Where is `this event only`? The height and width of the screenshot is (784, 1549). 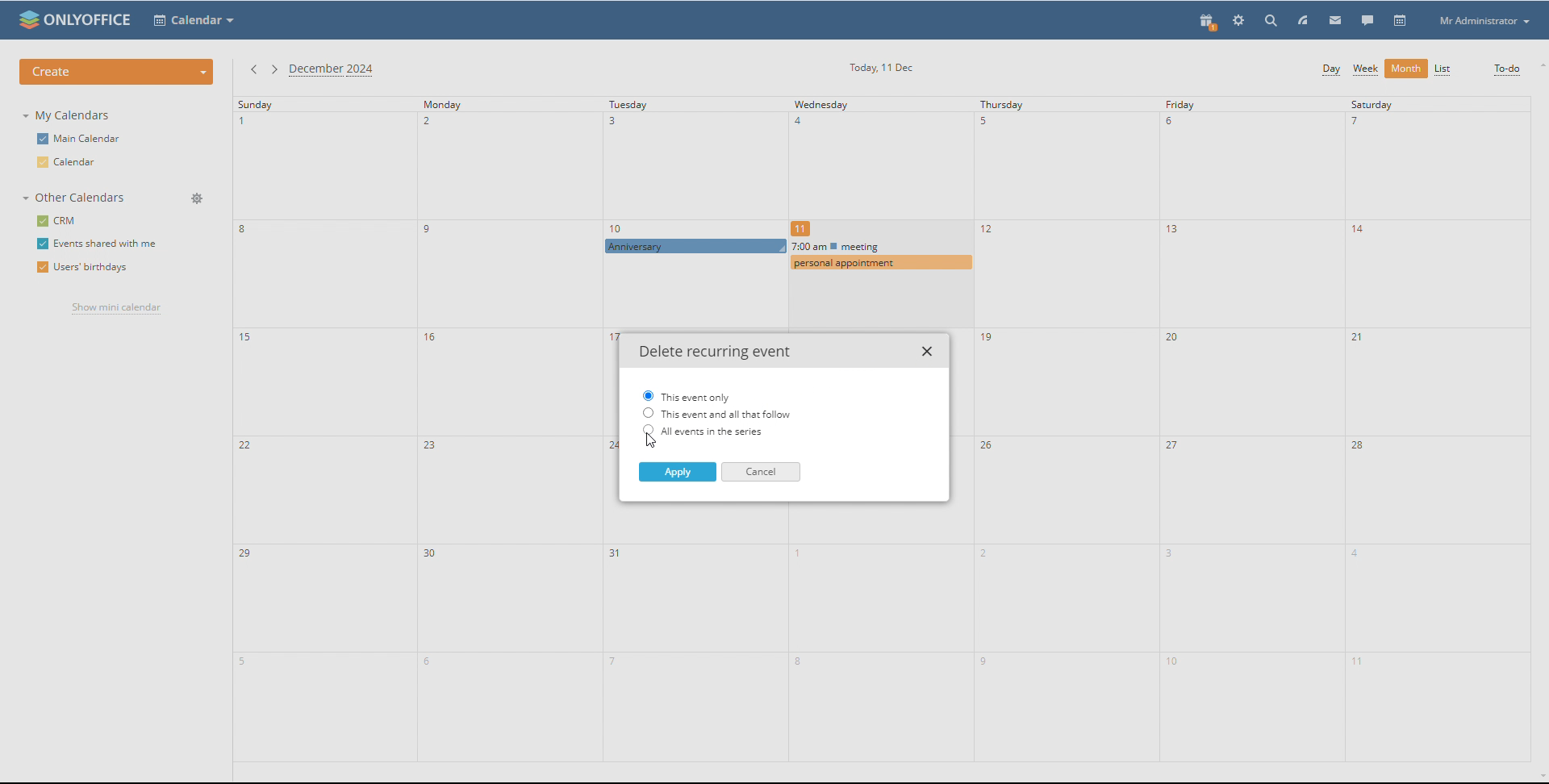 this event only is located at coordinates (687, 395).